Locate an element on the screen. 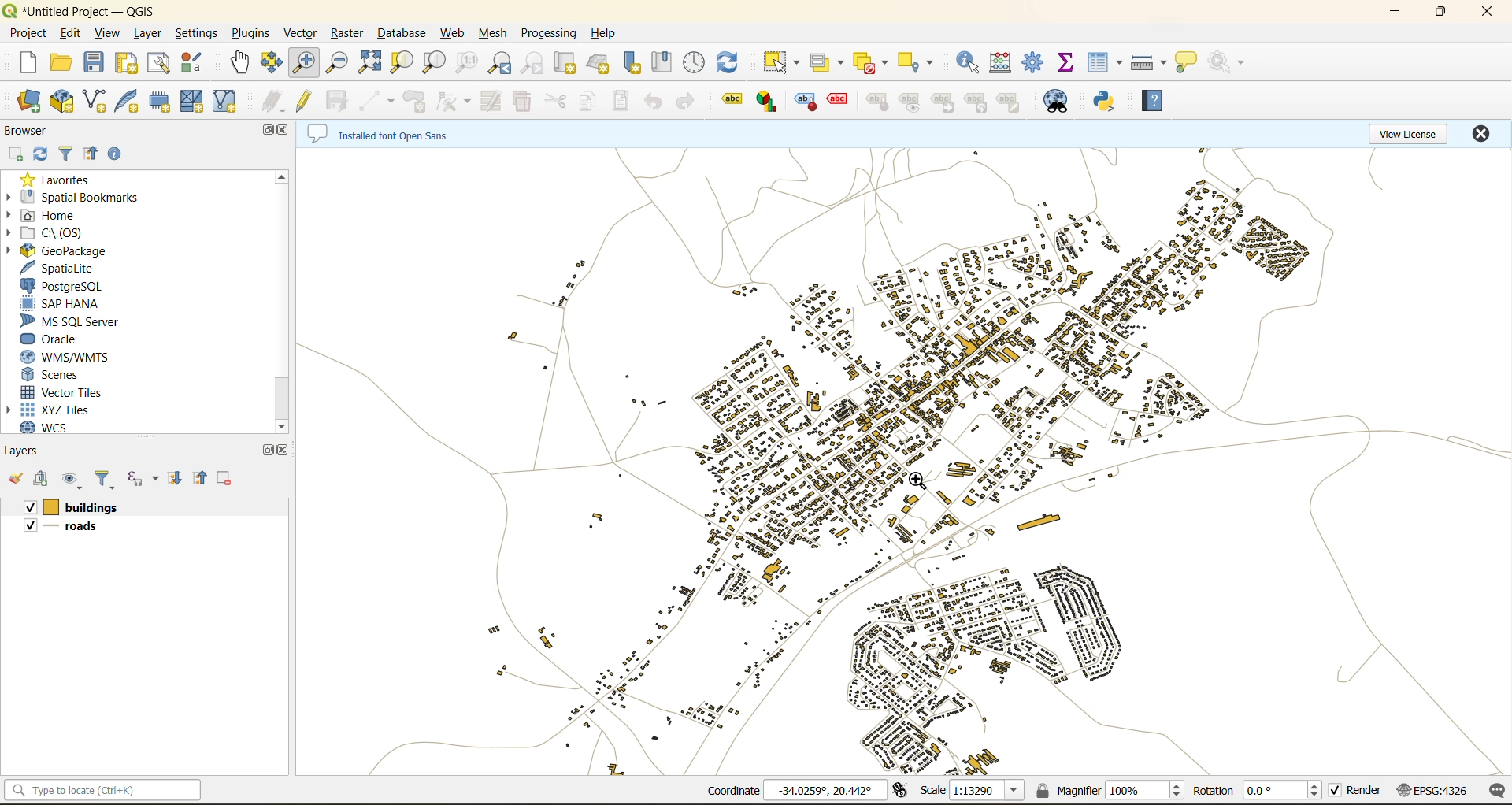  home is located at coordinates (54, 214).